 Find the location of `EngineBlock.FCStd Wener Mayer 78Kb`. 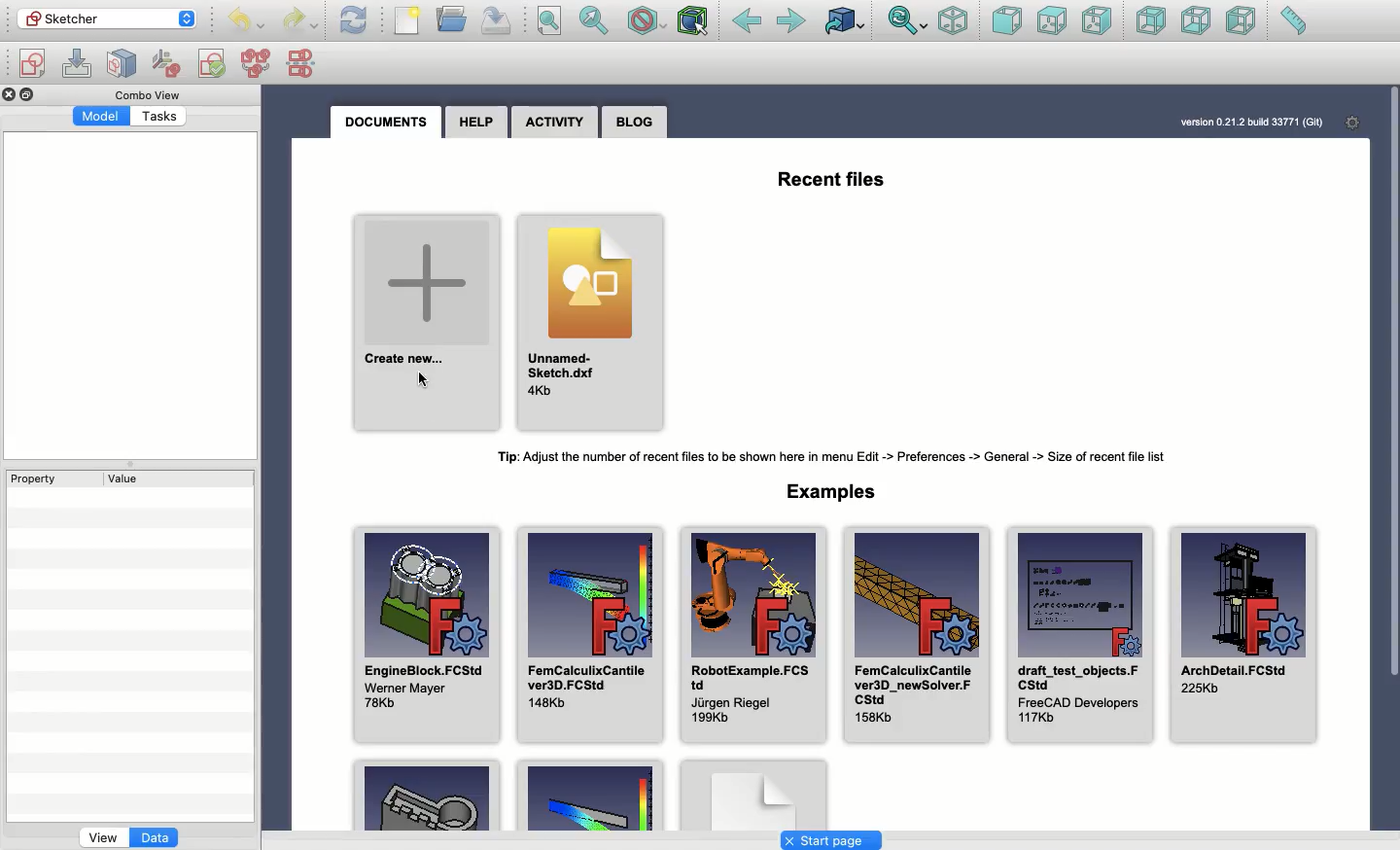

EngineBlock.FCStd Wener Mayer 78Kb is located at coordinates (428, 634).